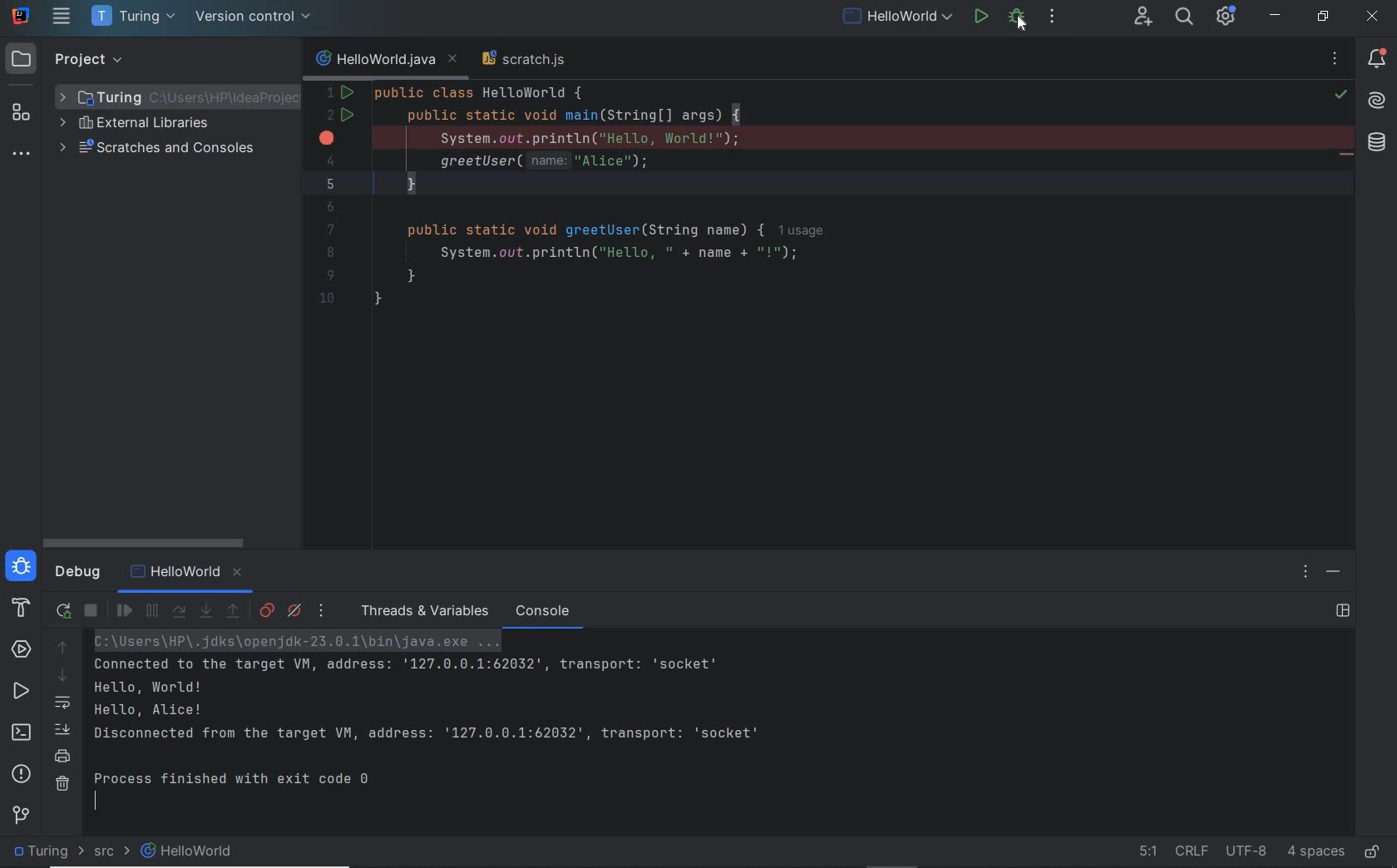 The width and height of the screenshot is (1397, 868). Describe the element at coordinates (1276, 16) in the screenshot. I see `minimize` at that location.